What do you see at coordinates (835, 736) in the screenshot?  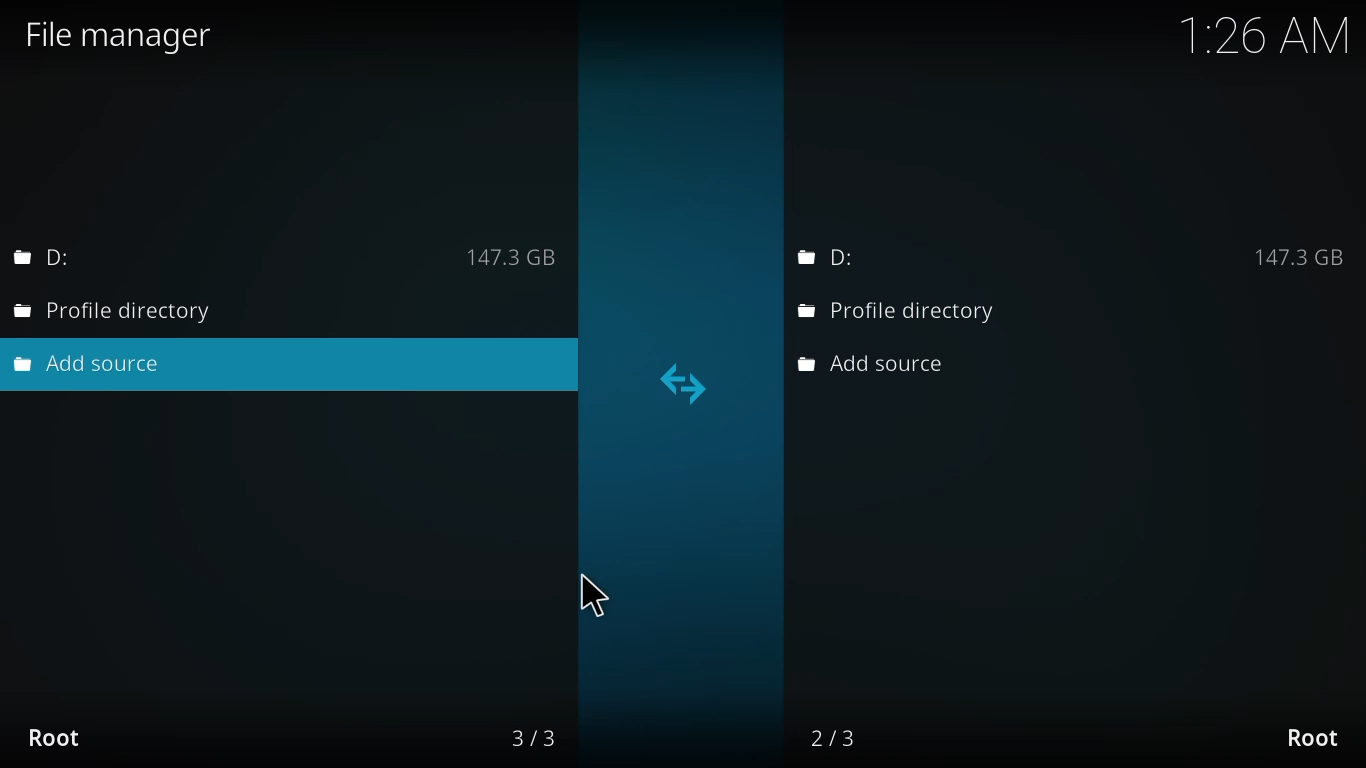 I see `2/3` at bounding box center [835, 736].